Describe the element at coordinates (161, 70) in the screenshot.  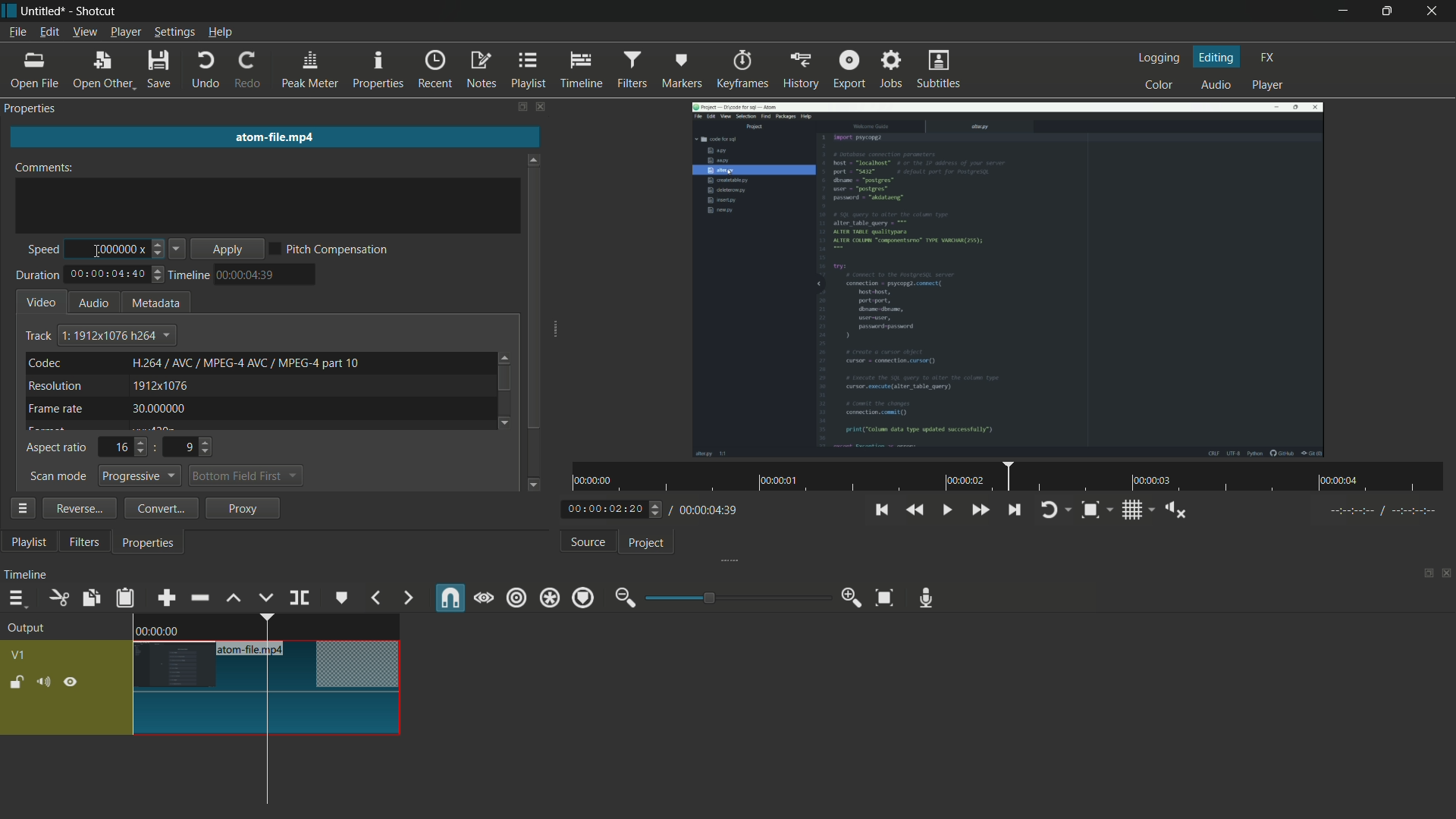
I see `save` at that location.